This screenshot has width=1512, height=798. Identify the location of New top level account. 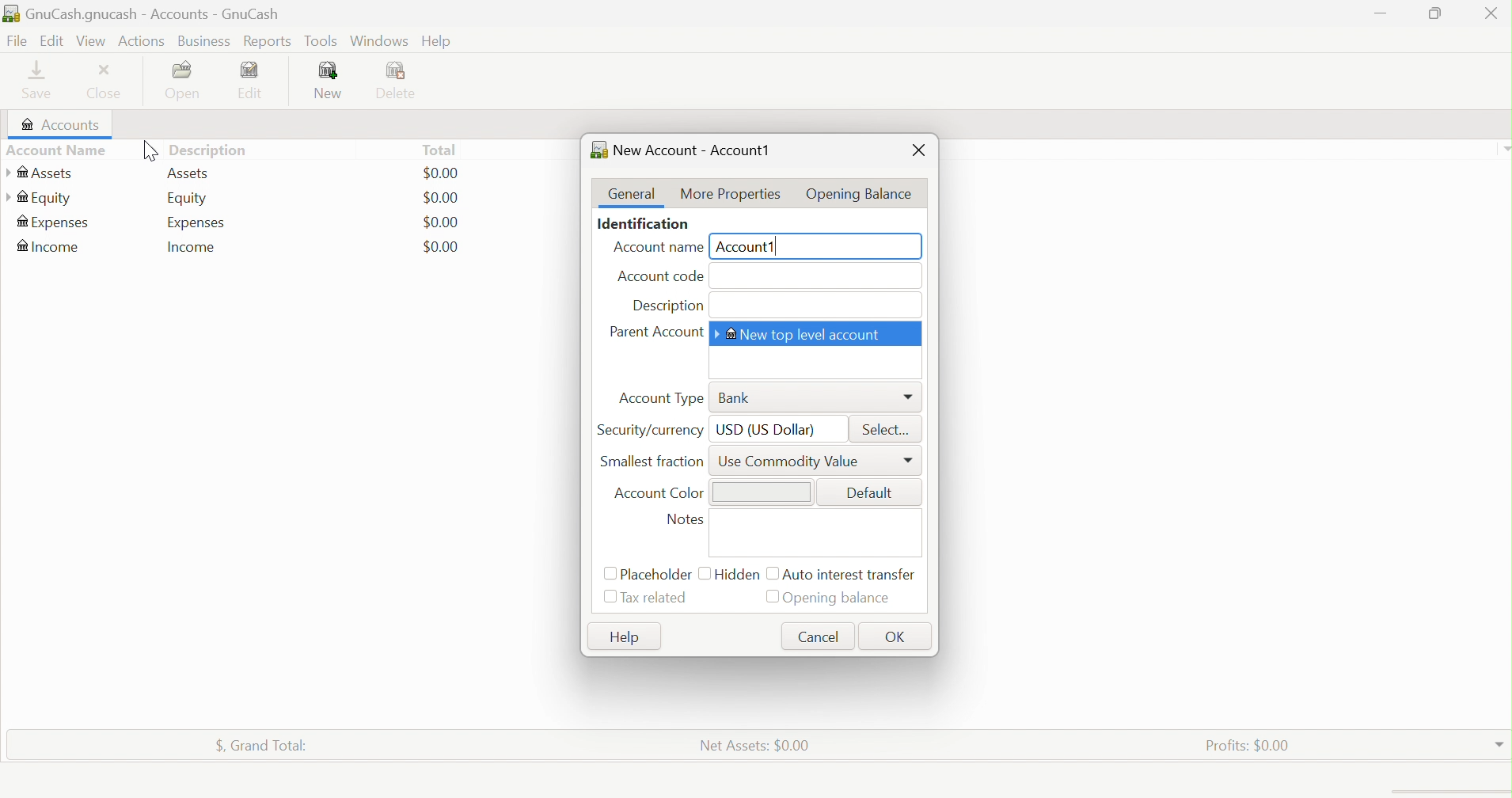
(806, 333).